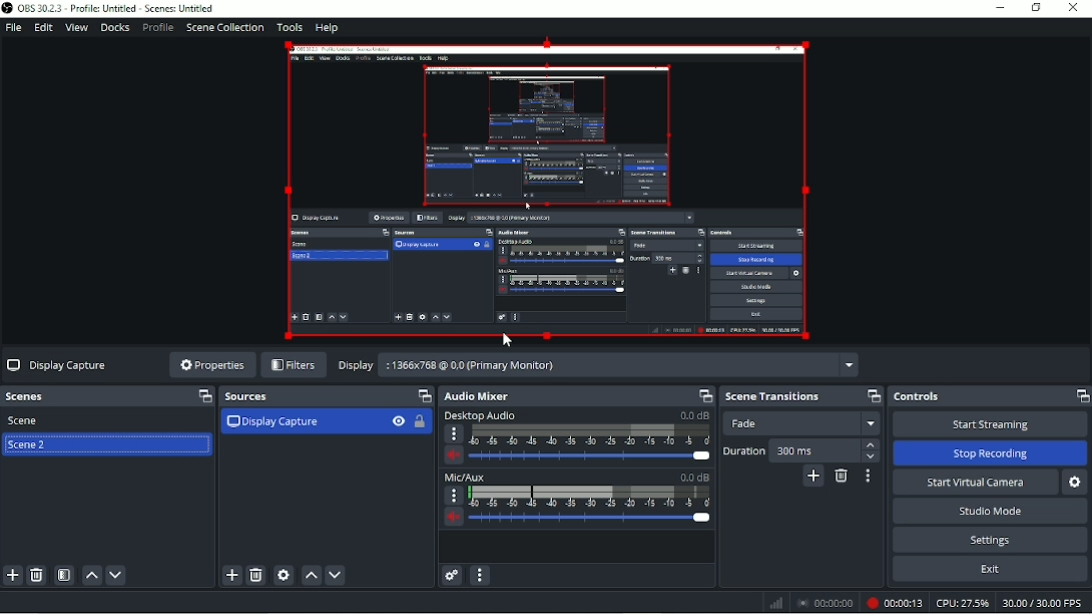 The width and height of the screenshot is (1092, 614). I want to click on Move source(s) down, so click(335, 575).